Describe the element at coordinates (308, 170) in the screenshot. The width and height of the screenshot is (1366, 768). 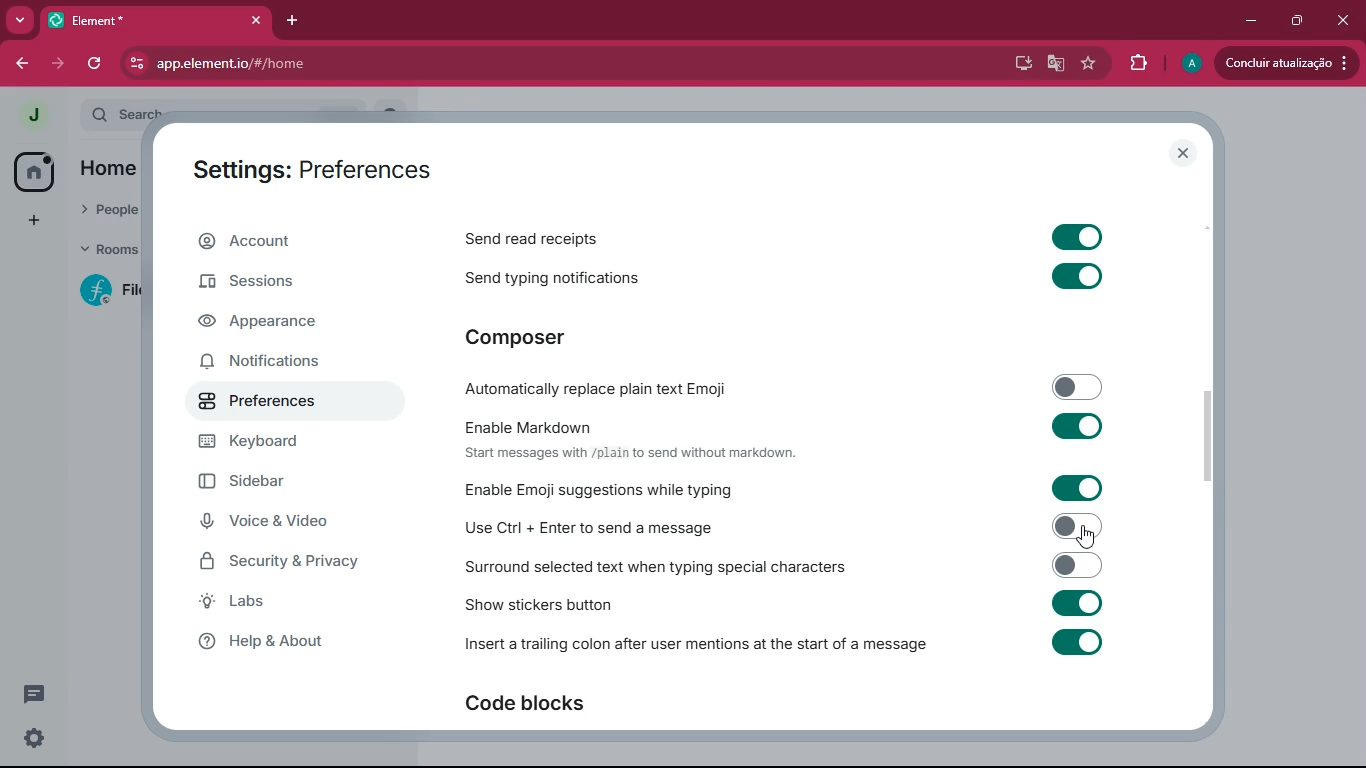
I see `Settings: Preferences` at that location.